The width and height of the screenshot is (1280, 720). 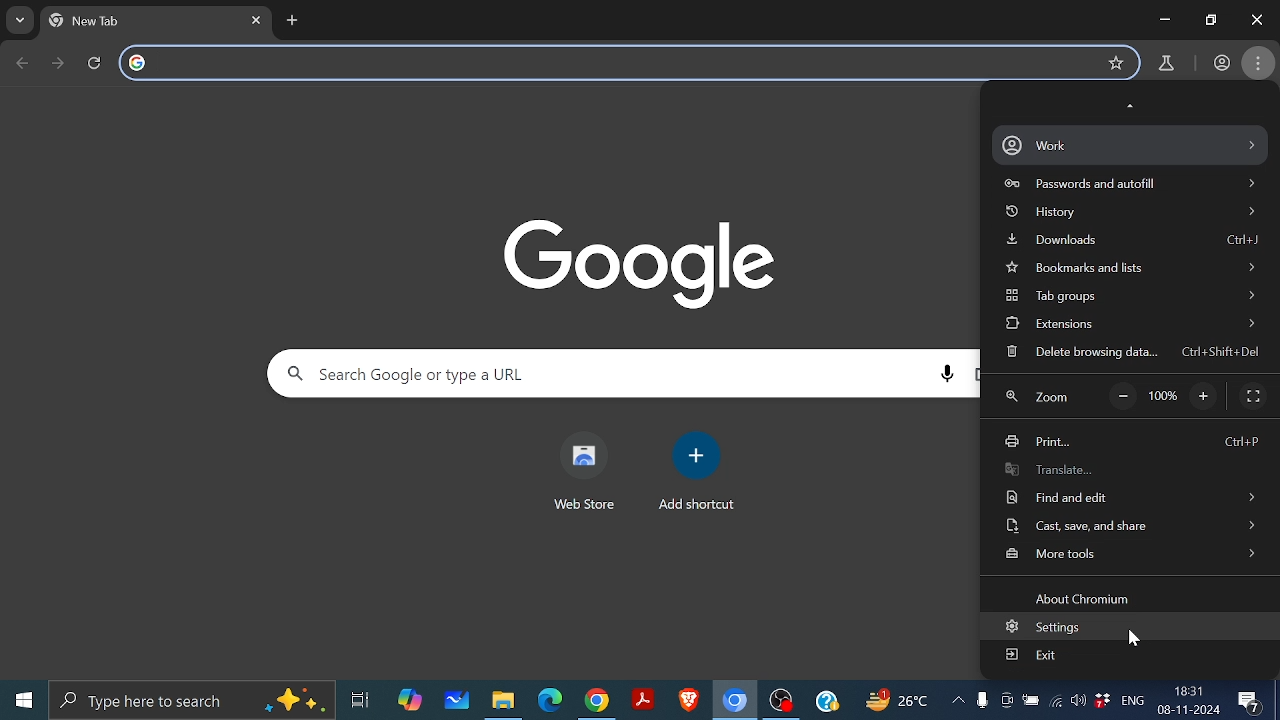 I want to click on Mark as favorite, so click(x=1116, y=63).